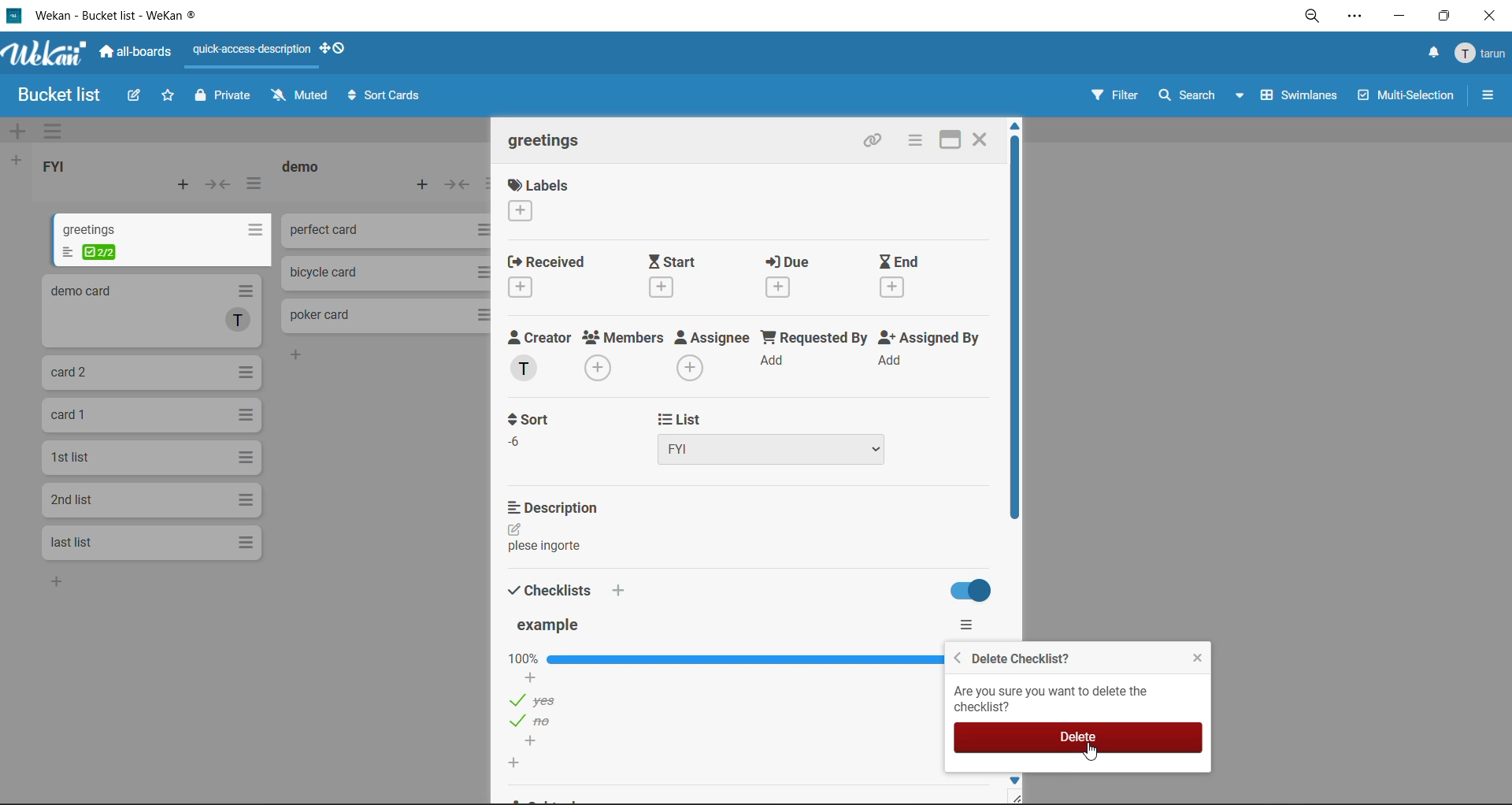 The image size is (1512, 805). I want to click on received, so click(545, 275).